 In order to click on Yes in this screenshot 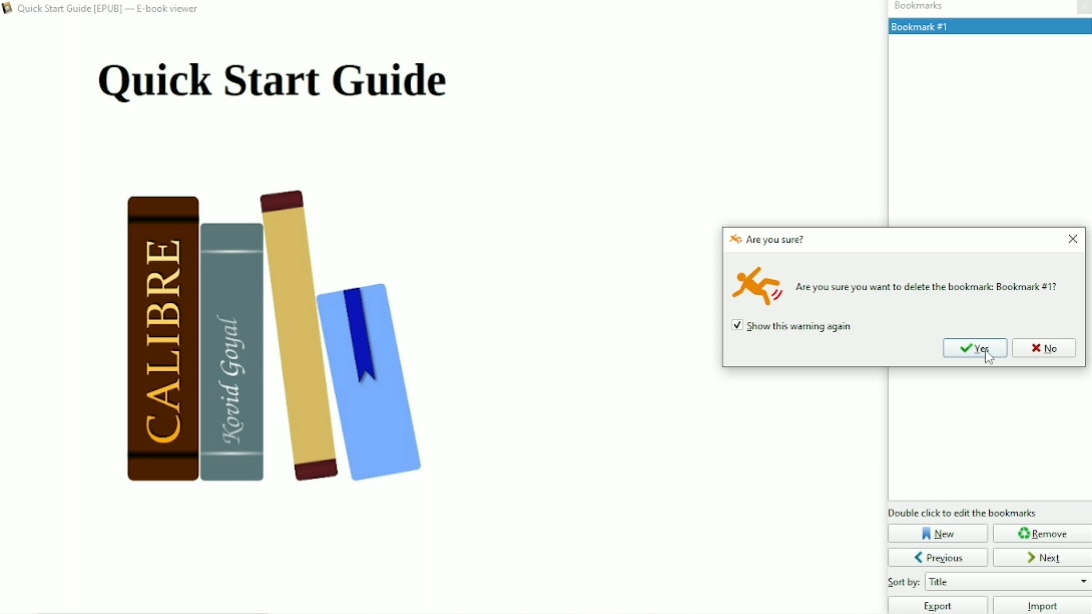, I will do `click(975, 347)`.